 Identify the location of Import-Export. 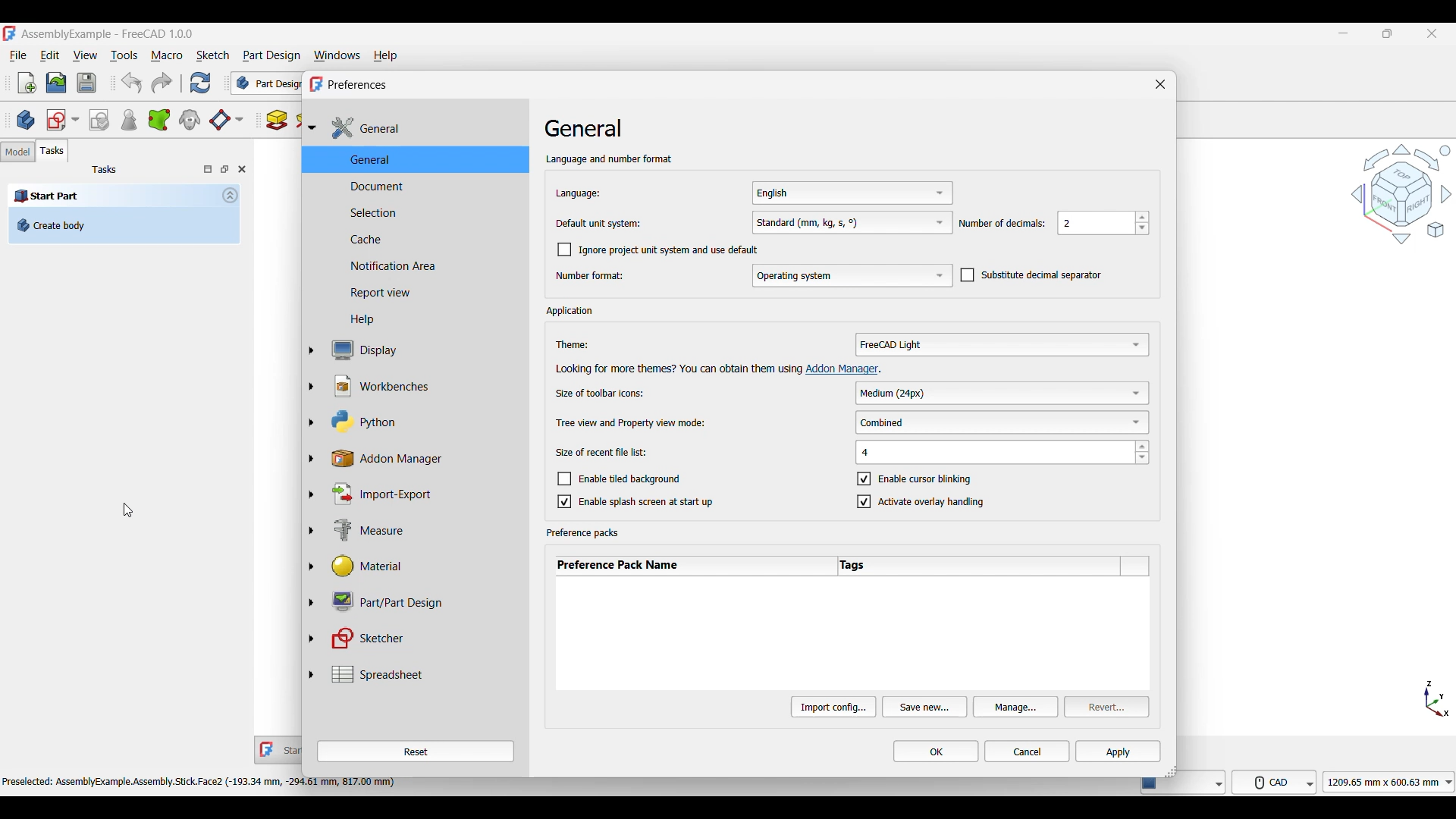
(422, 494).